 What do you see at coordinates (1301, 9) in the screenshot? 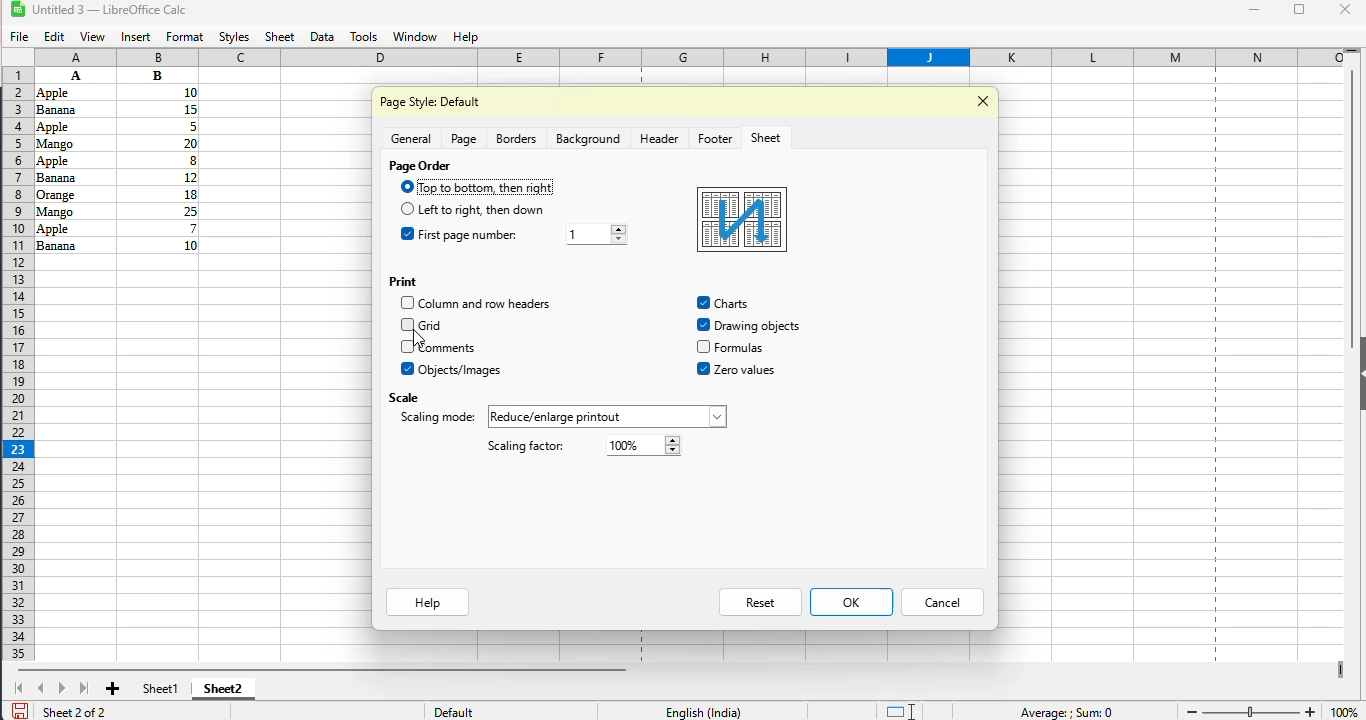
I see `maximize` at bounding box center [1301, 9].